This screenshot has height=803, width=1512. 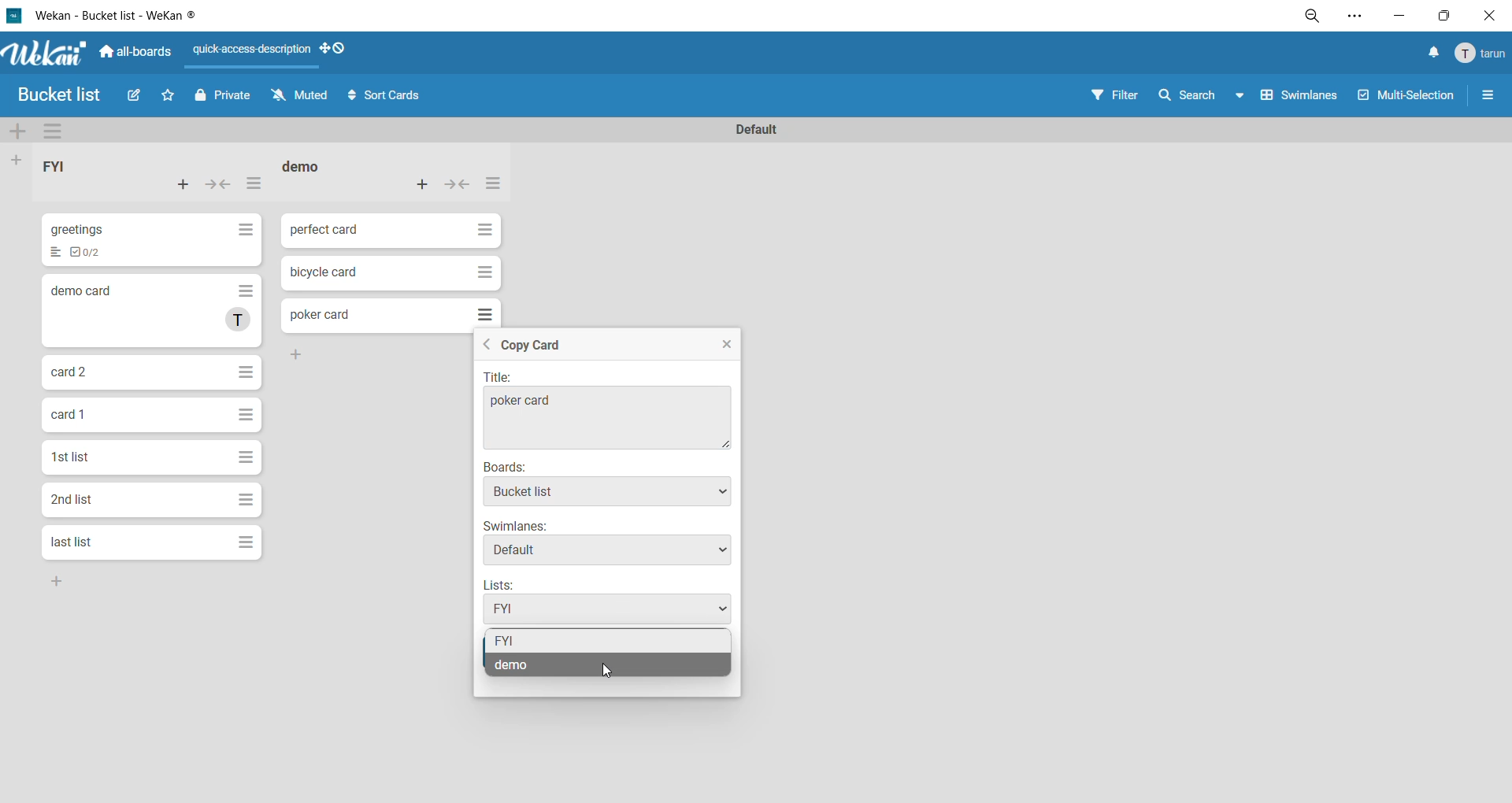 I want to click on copy card, so click(x=537, y=348).